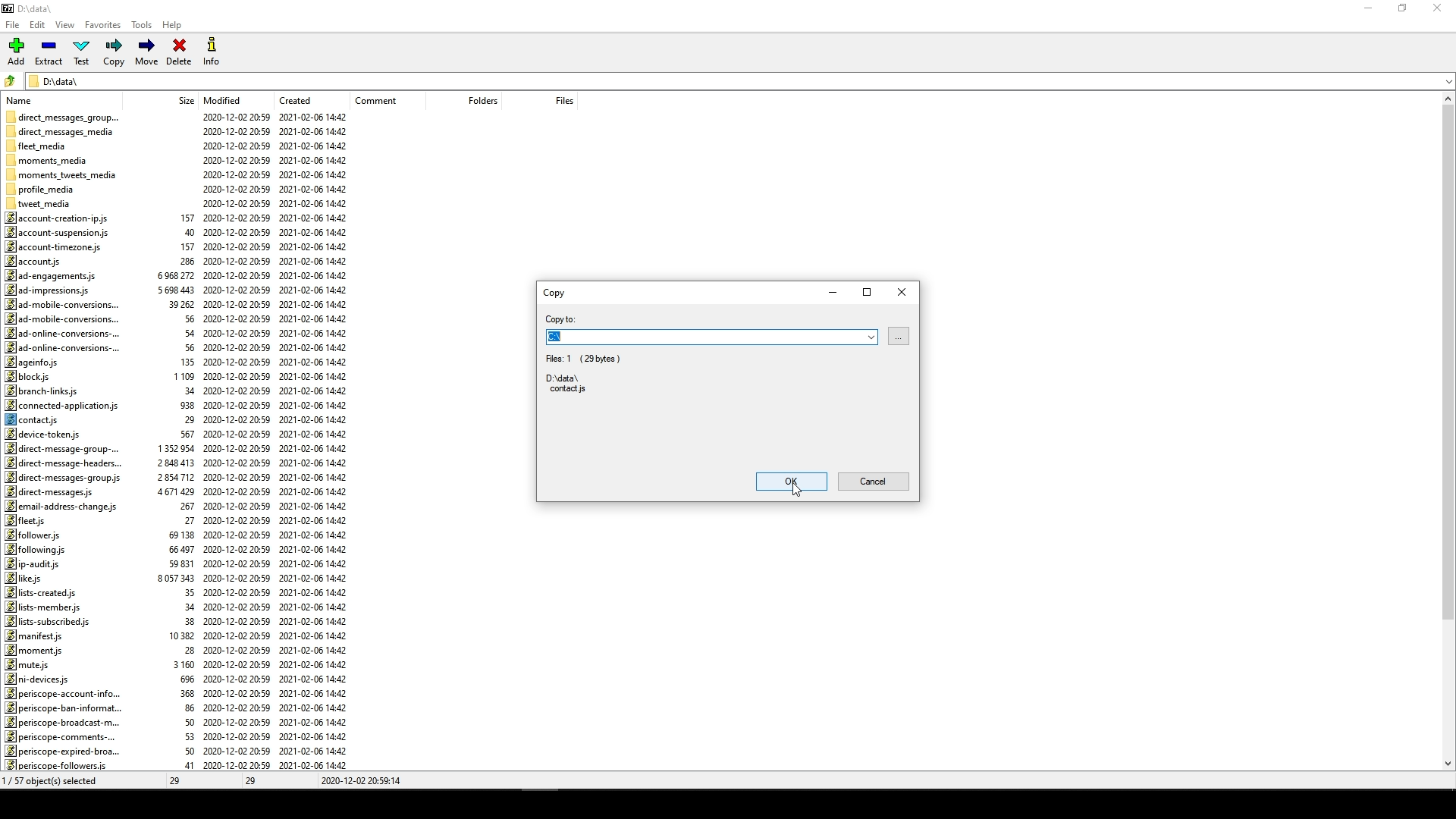  I want to click on periscope-followers.js, so click(58, 765).